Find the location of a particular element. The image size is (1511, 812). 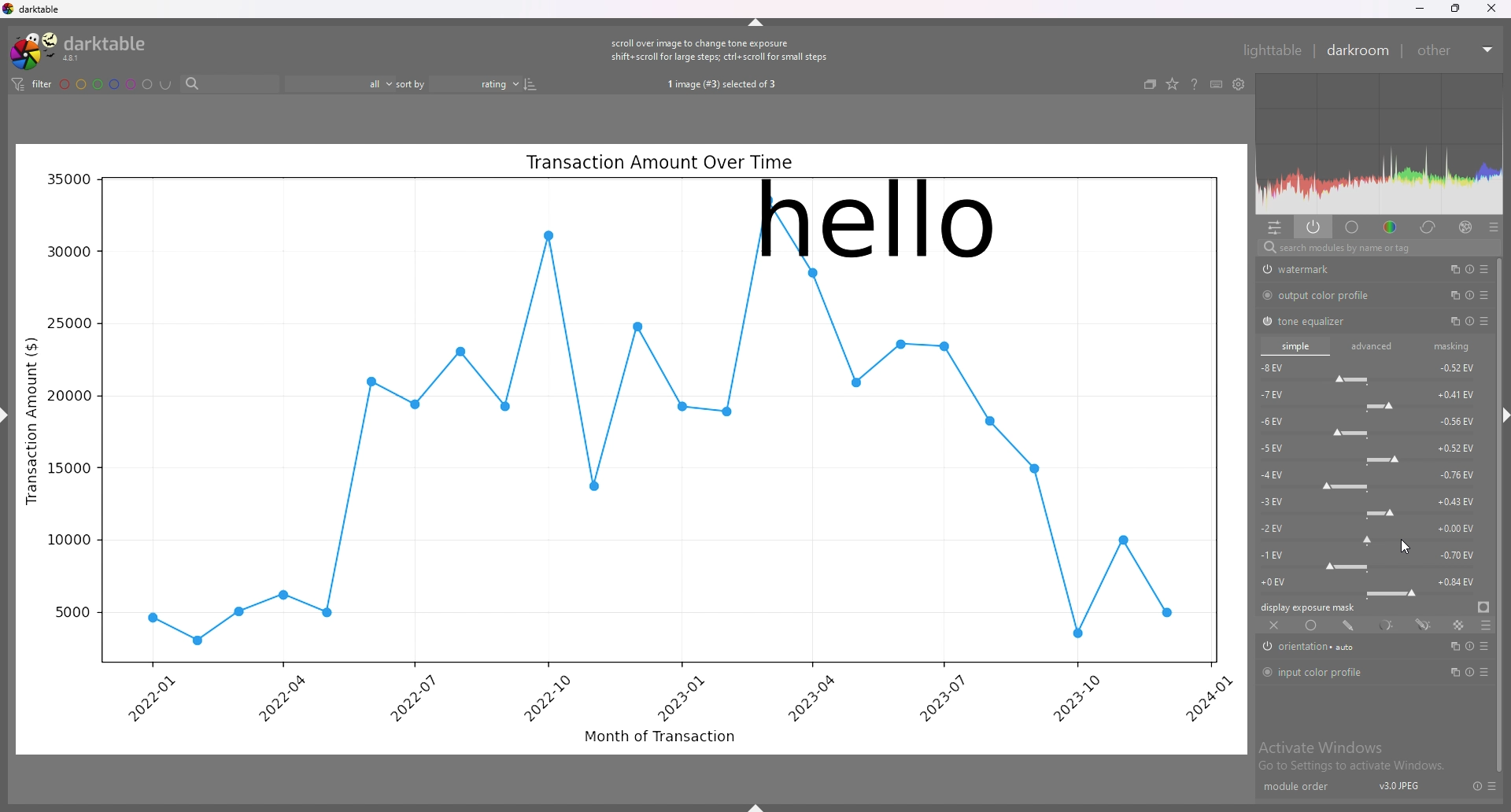

presets is located at coordinates (1493, 227).